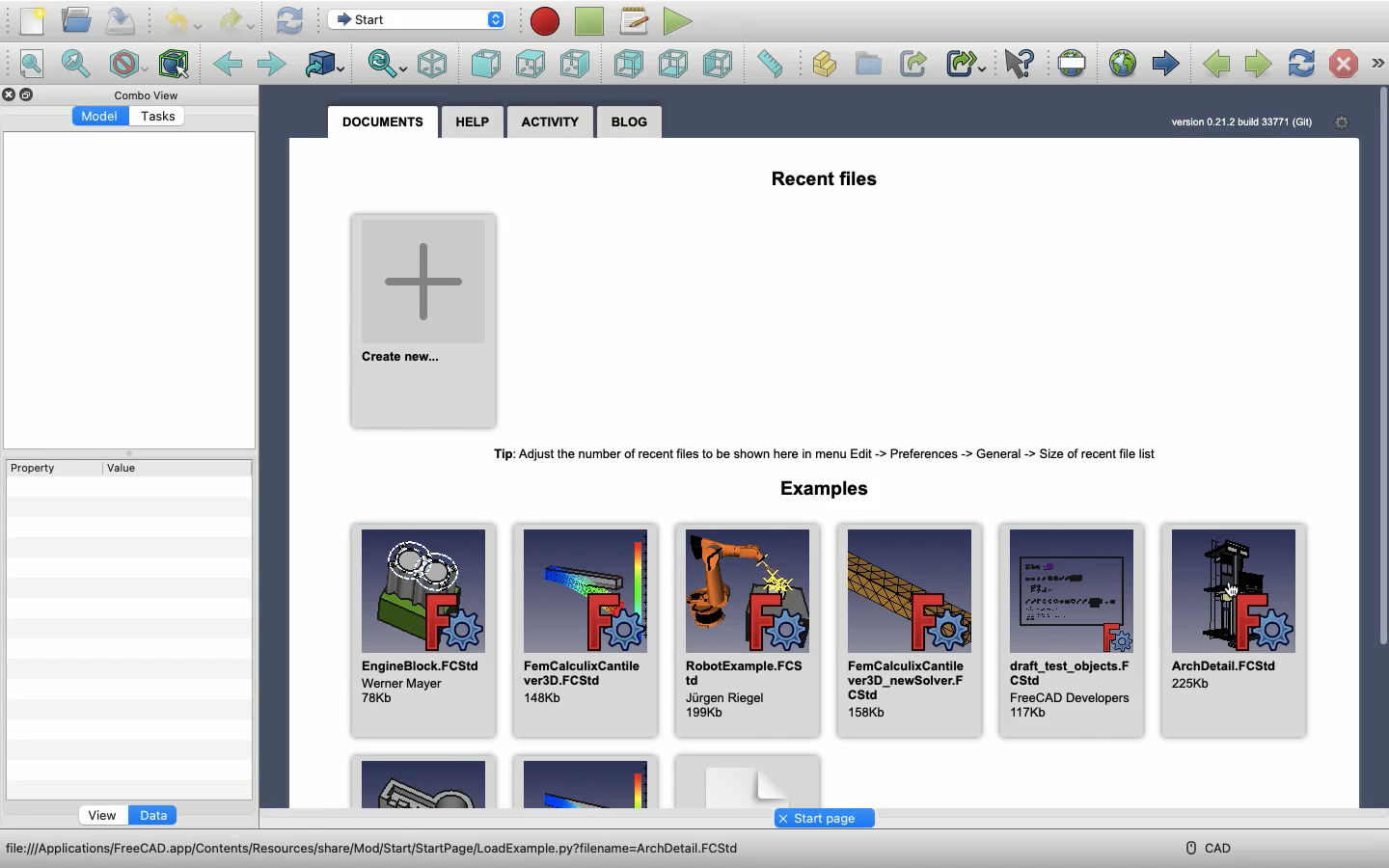  What do you see at coordinates (531, 63) in the screenshot?
I see `Top` at bounding box center [531, 63].